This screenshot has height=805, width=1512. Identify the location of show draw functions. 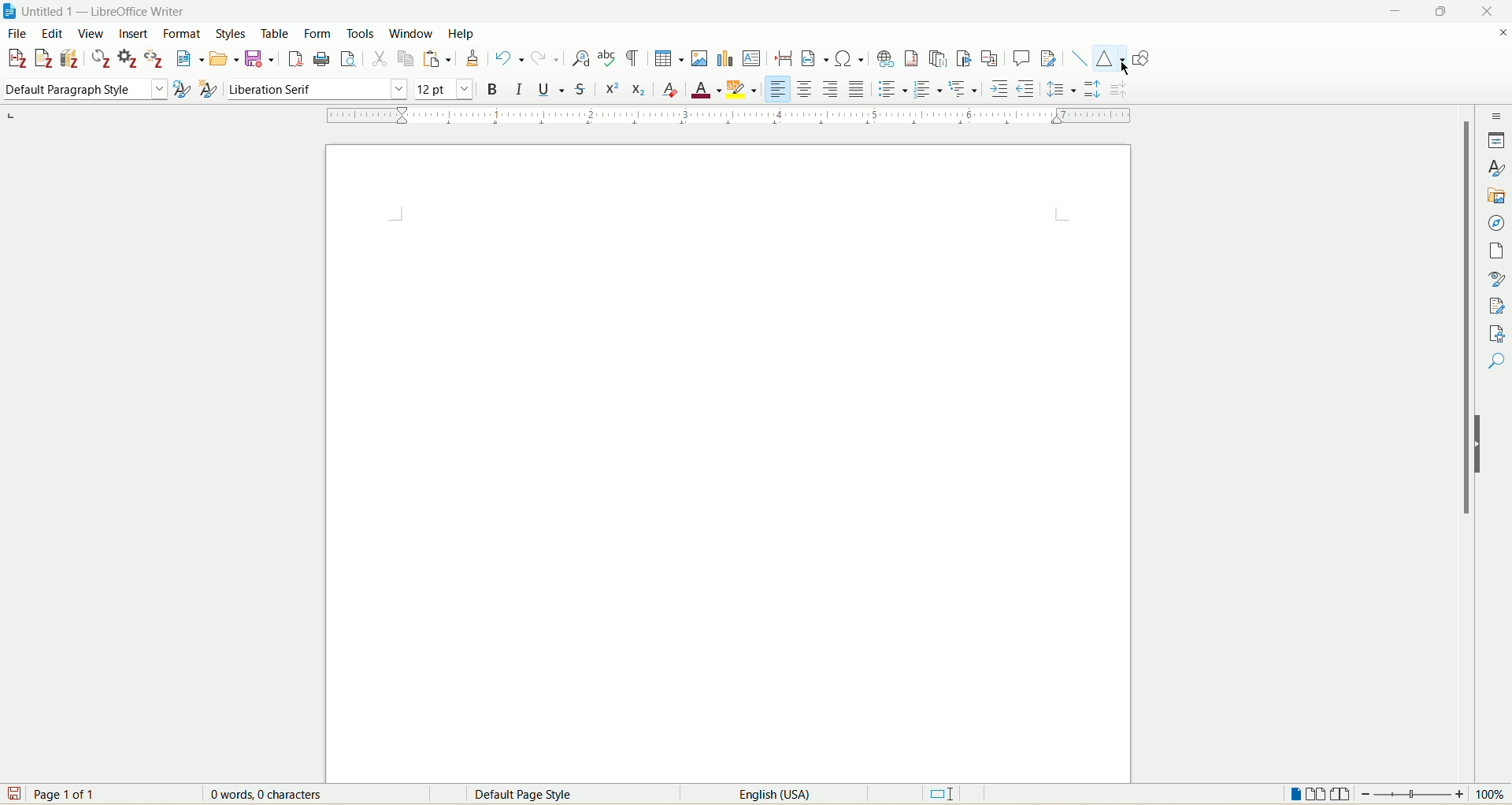
(1143, 57).